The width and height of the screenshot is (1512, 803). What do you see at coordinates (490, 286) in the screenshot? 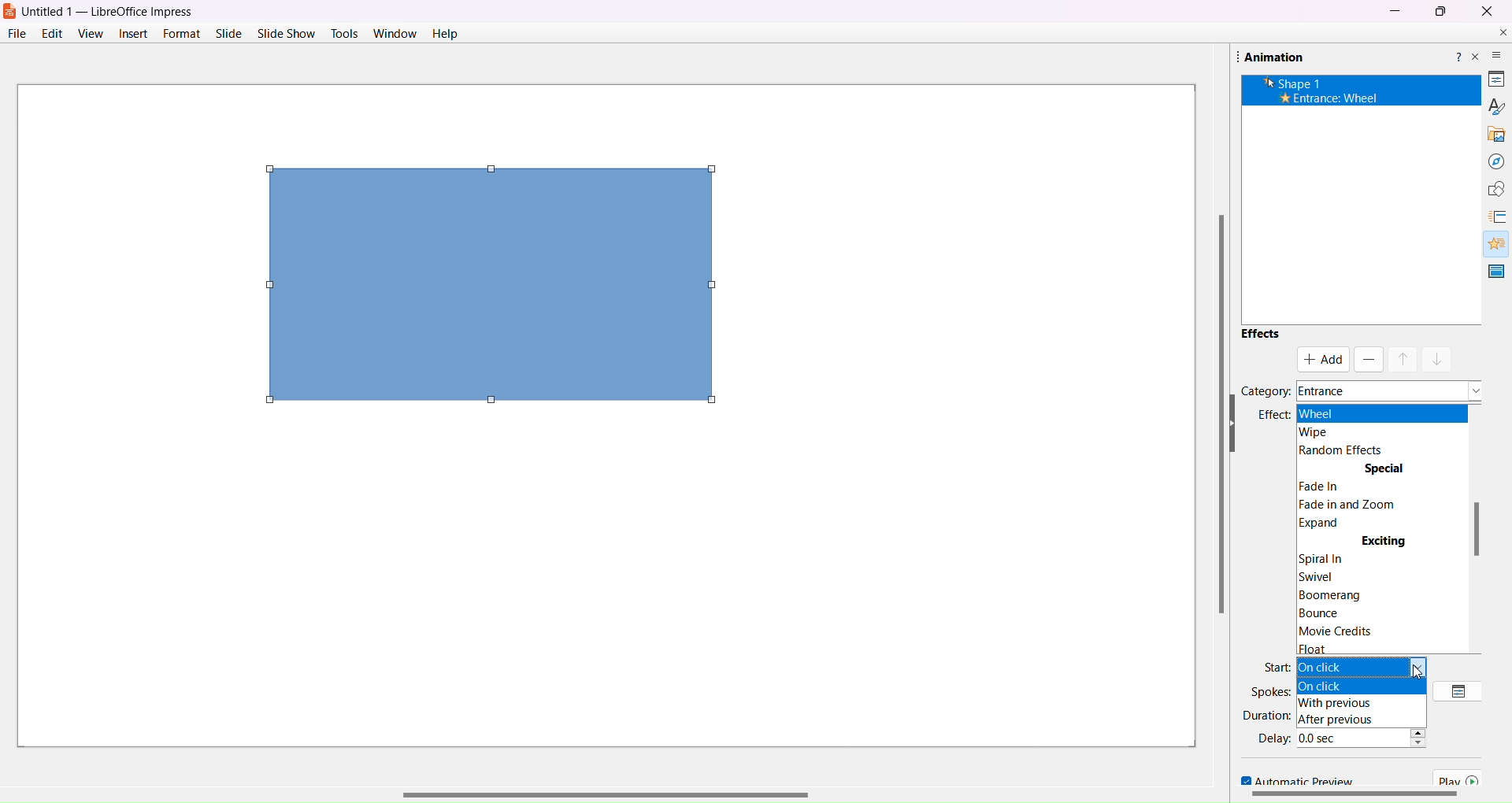
I see `Object` at bounding box center [490, 286].